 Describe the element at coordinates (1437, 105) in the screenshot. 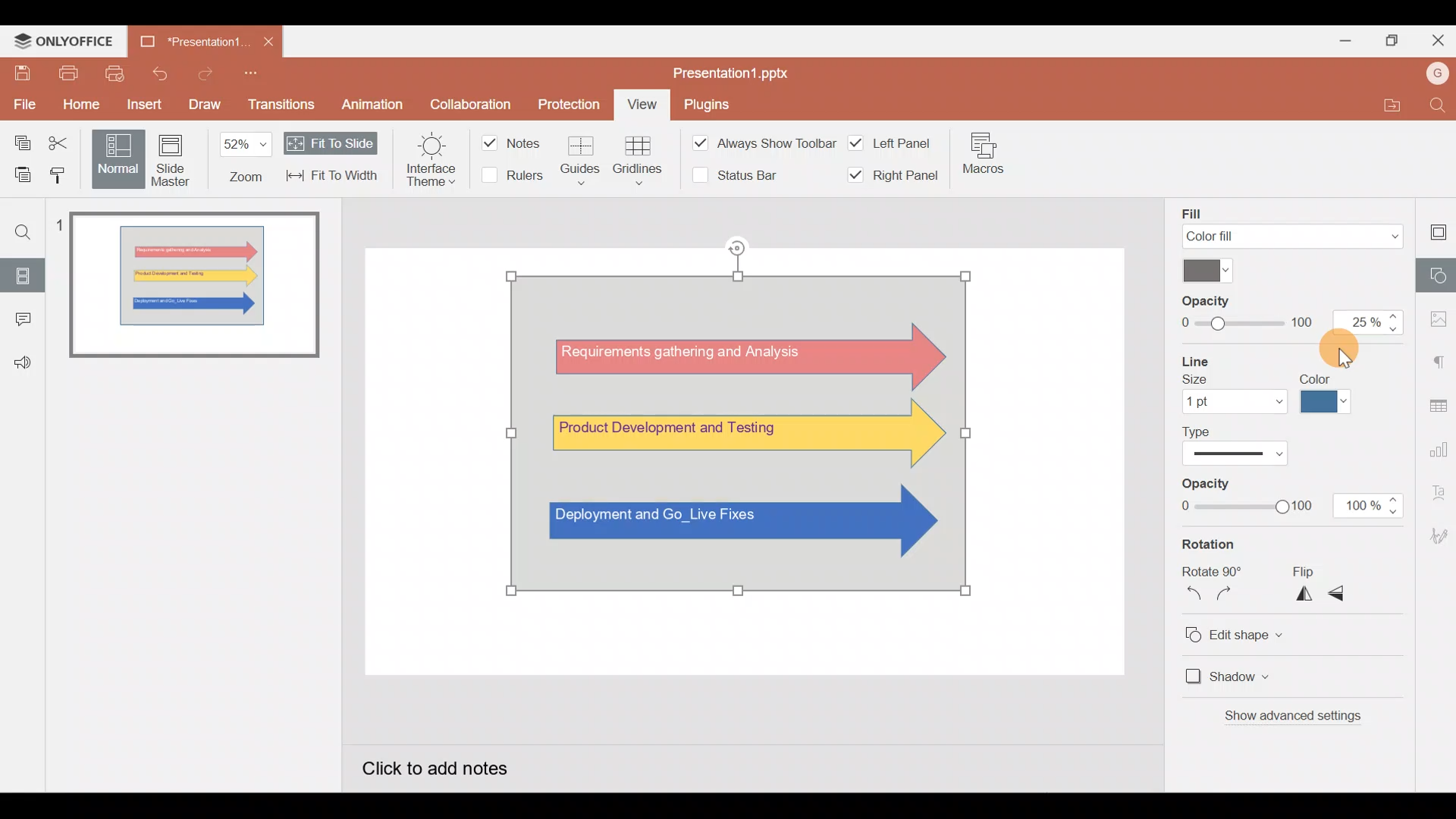

I see `Find` at that location.